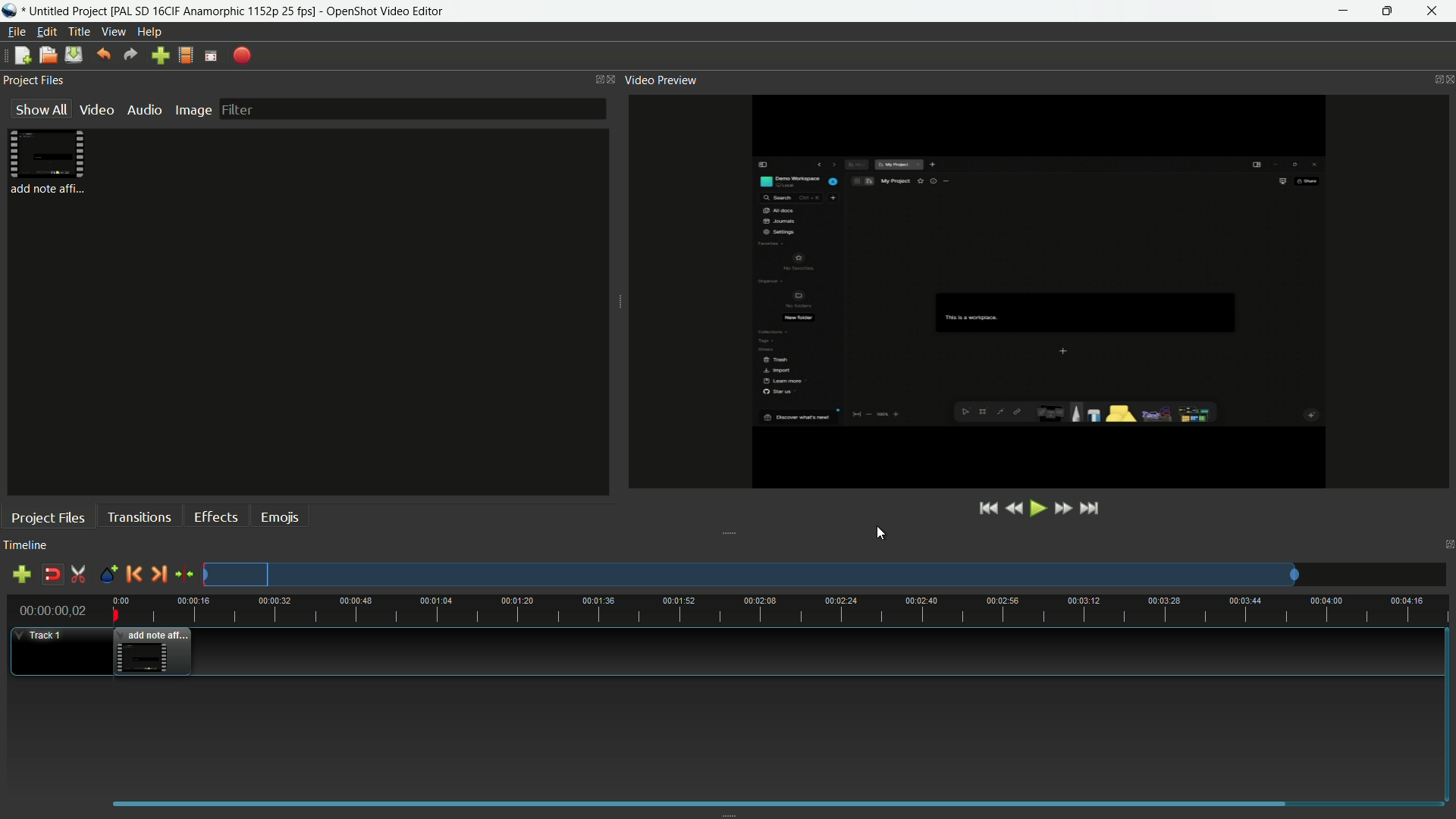 The width and height of the screenshot is (1456, 819). I want to click on file in project, so click(44, 162).